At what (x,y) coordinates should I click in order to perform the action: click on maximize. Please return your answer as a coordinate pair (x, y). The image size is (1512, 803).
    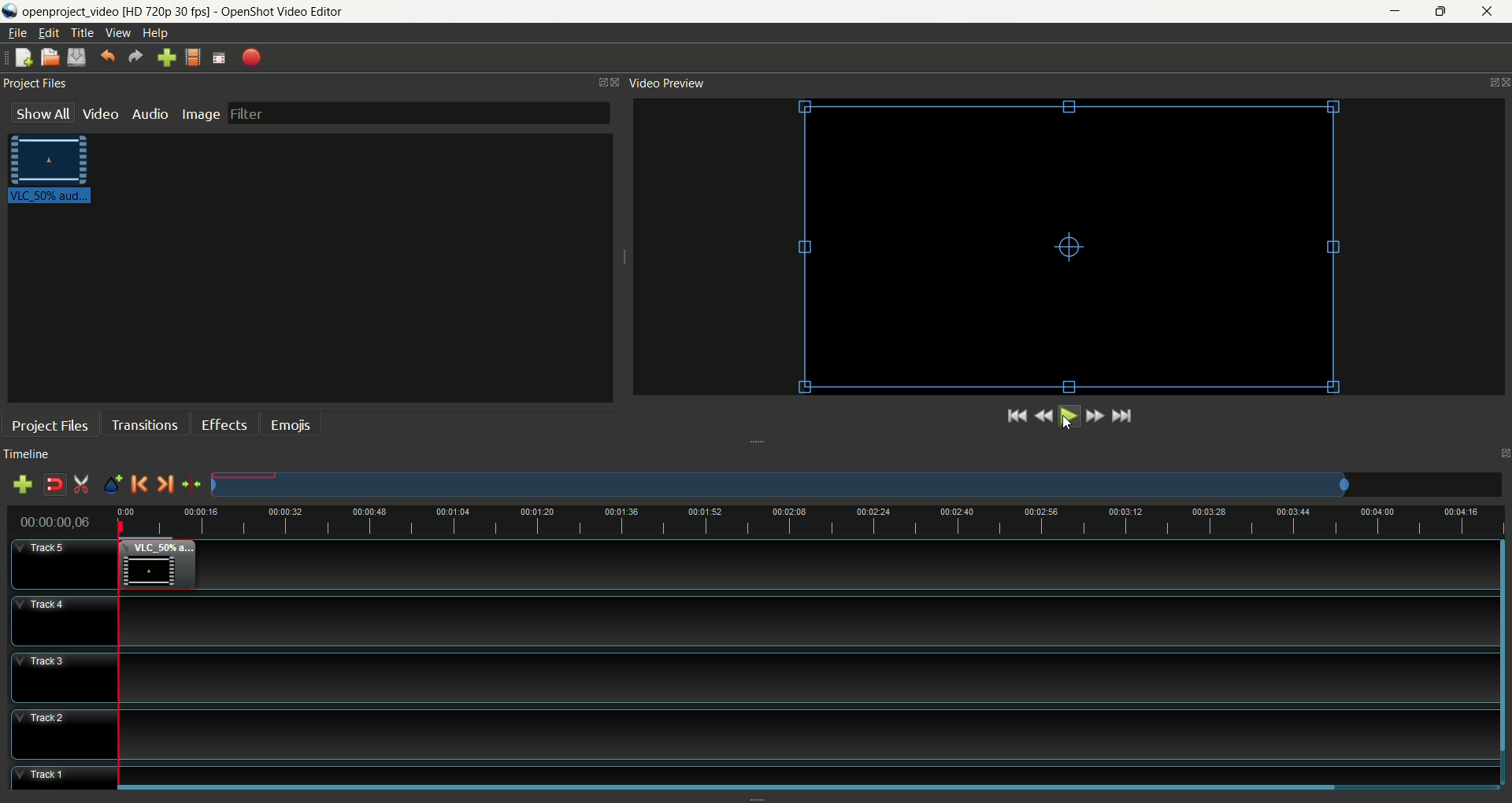
    Looking at the image, I should click on (1444, 11).